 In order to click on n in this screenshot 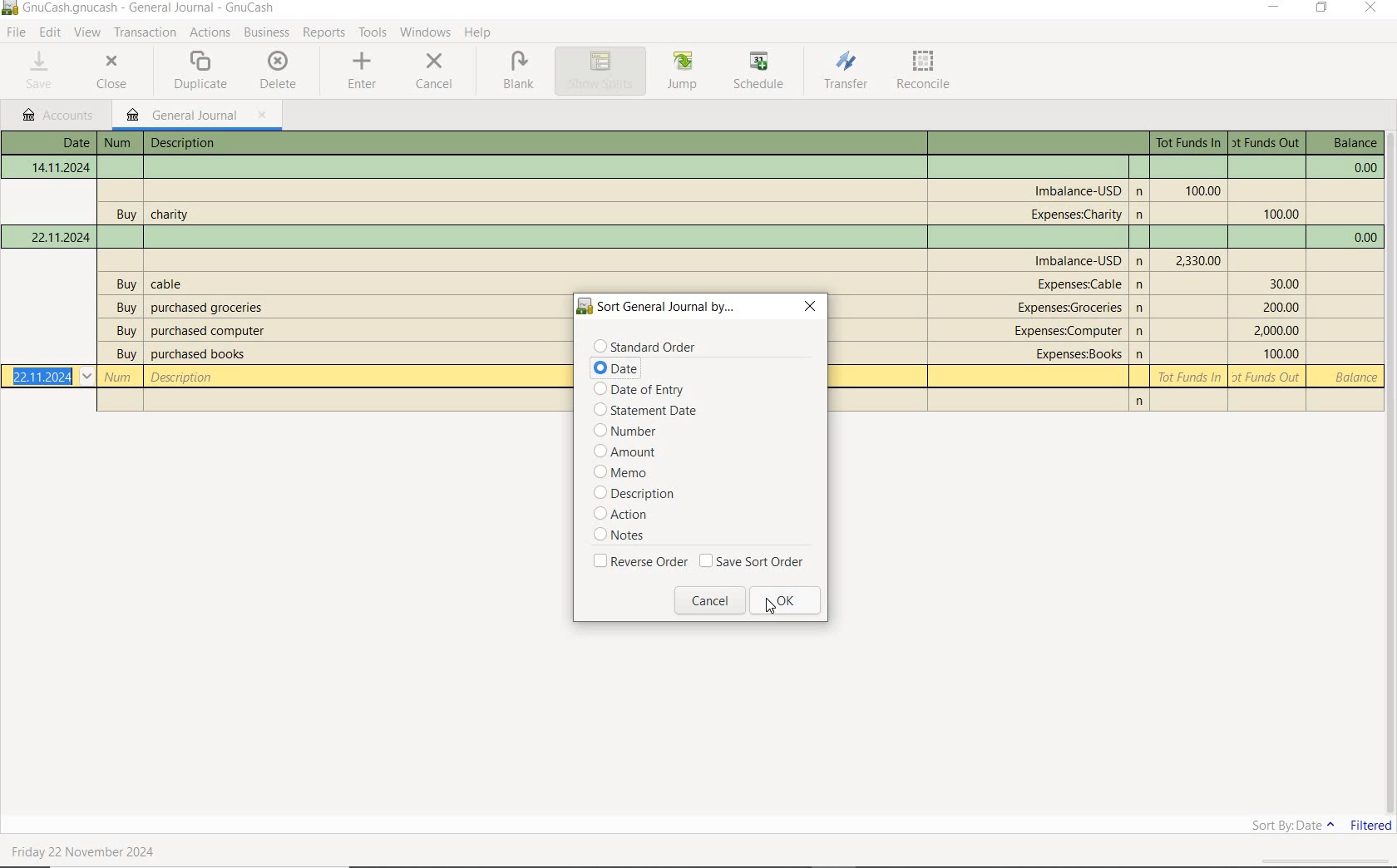, I will do `click(1142, 309)`.